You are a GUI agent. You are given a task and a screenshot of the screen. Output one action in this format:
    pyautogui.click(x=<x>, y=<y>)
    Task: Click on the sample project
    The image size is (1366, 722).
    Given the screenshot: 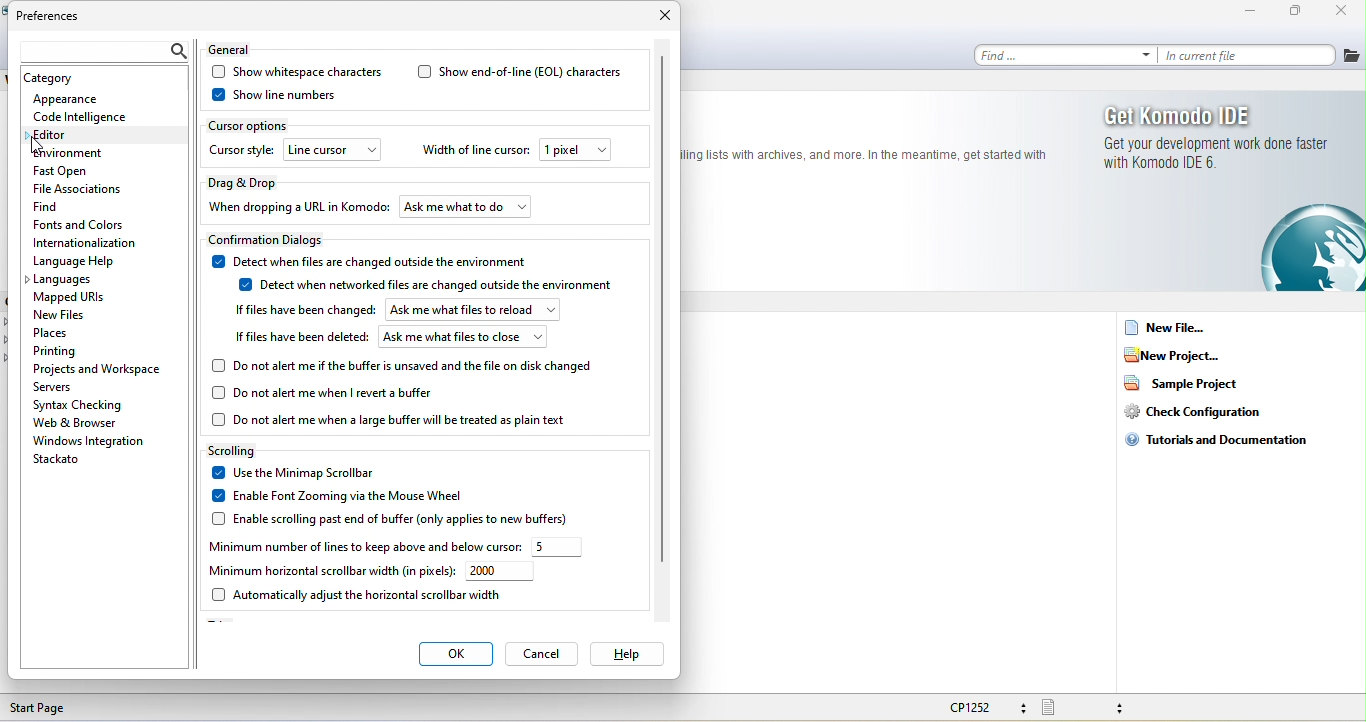 What is the action you would take?
    pyautogui.click(x=1191, y=382)
    